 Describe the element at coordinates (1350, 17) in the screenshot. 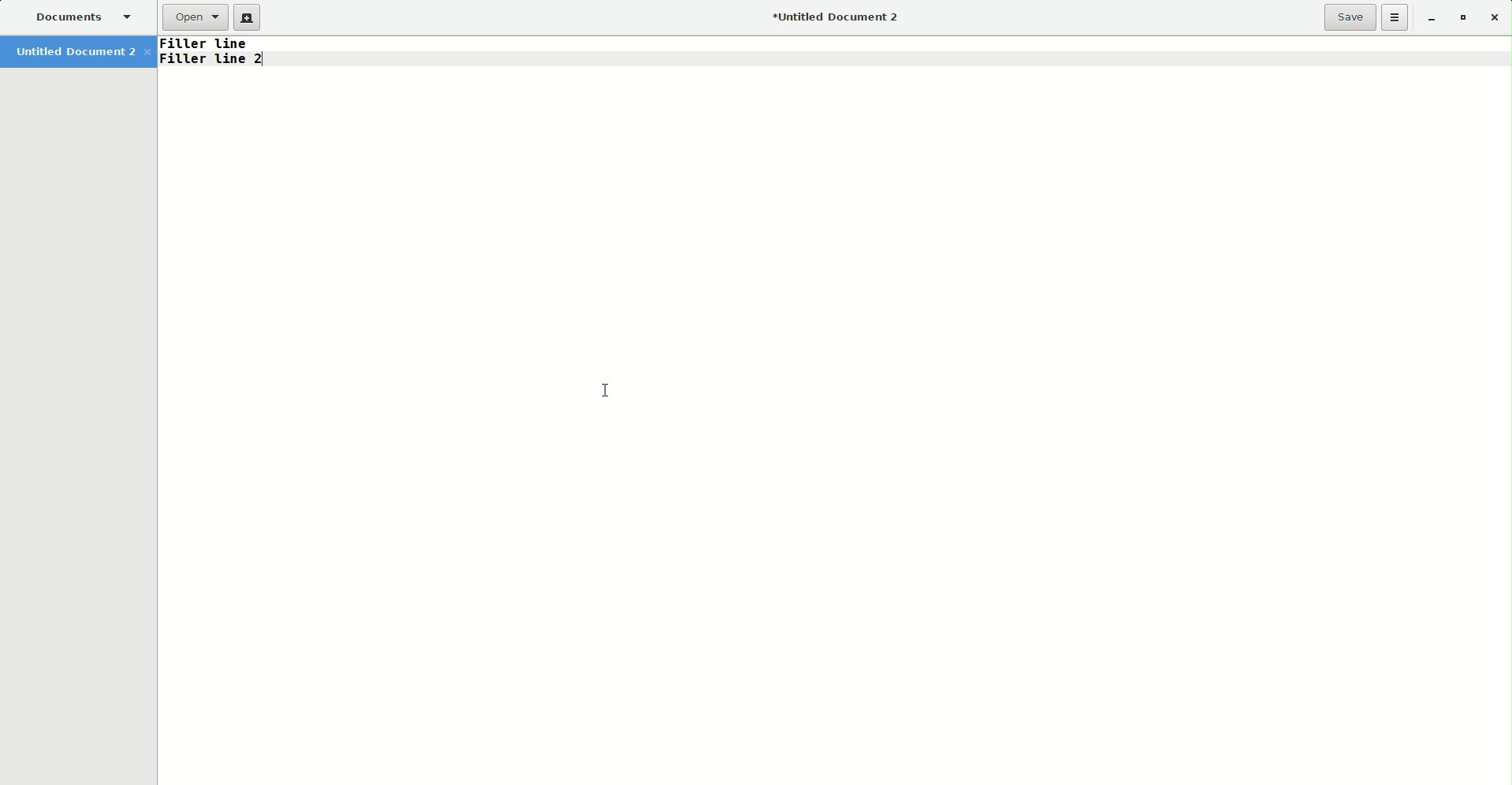

I see `Save` at that location.